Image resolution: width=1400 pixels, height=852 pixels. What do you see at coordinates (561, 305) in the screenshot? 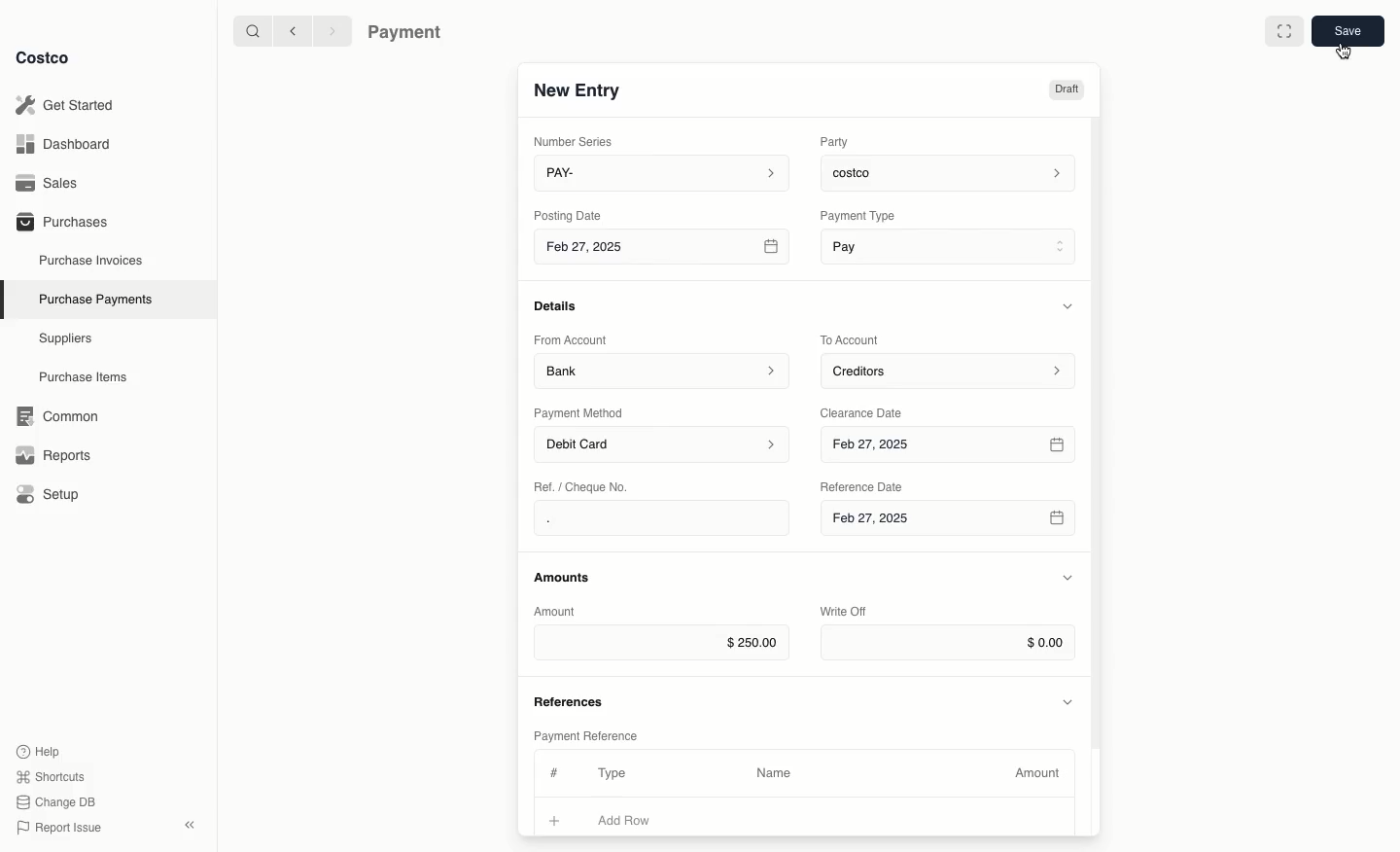
I see `Details` at bounding box center [561, 305].